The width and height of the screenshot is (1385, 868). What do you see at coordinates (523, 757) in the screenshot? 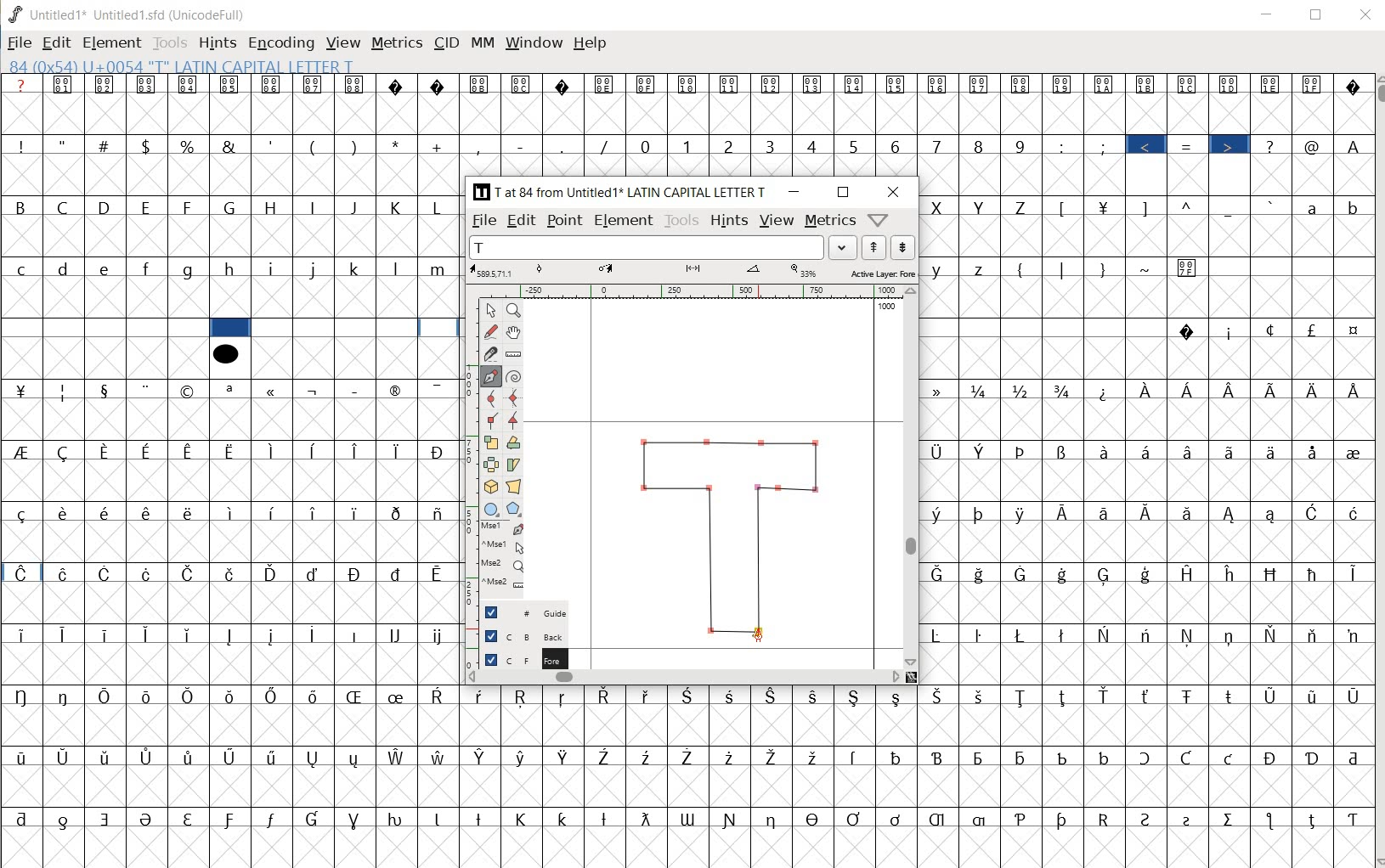
I see `Symbol` at bounding box center [523, 757].